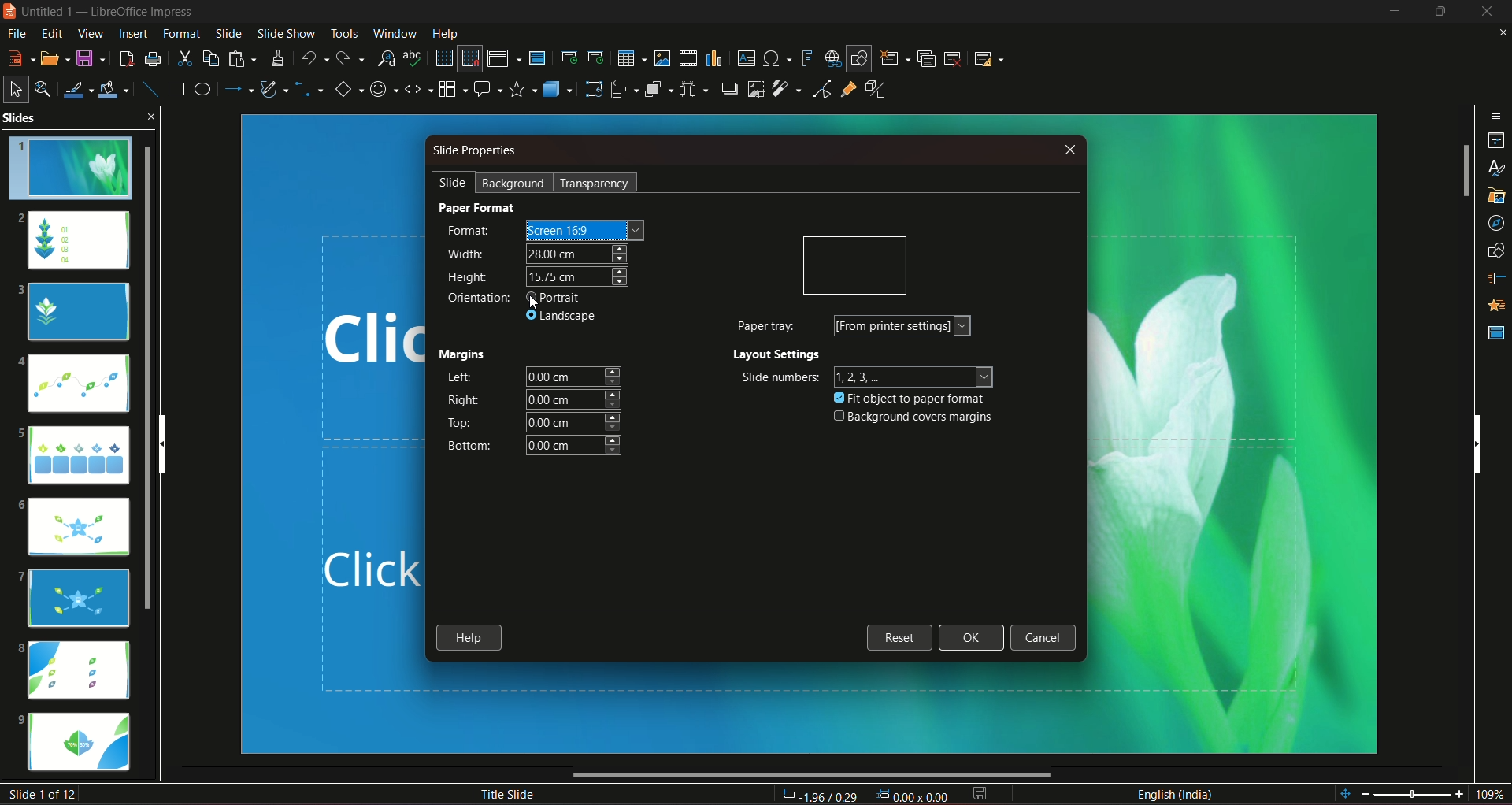 Image resolution: width=1512 pixels, height=805 pixels. Describe the element at coordinates (575, 422) in the screenshot. I see `top margin` at that location.